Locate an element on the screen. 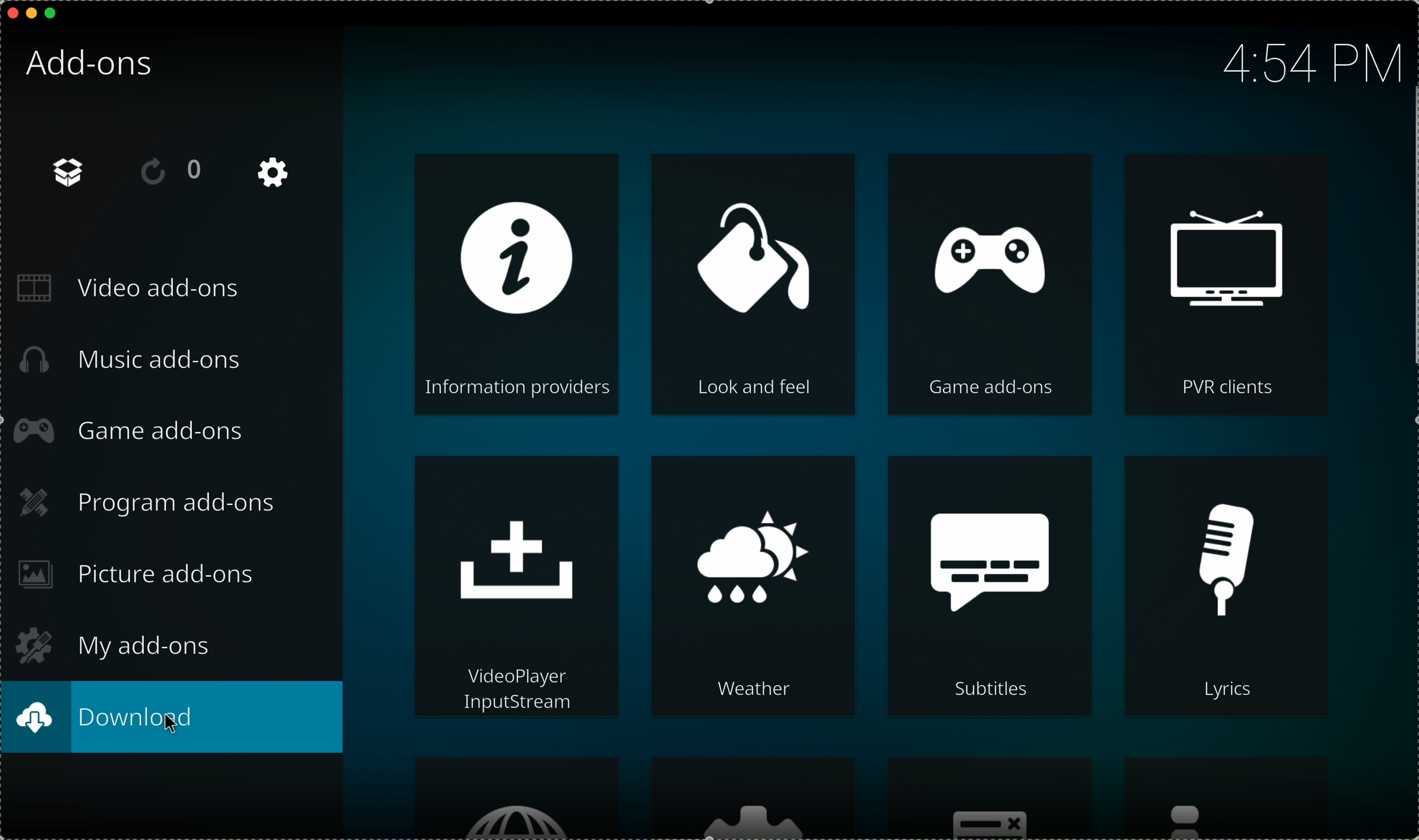 The height and width of the screenshot is (840, 1419). music add-ons is located at coordinates (130, 366).